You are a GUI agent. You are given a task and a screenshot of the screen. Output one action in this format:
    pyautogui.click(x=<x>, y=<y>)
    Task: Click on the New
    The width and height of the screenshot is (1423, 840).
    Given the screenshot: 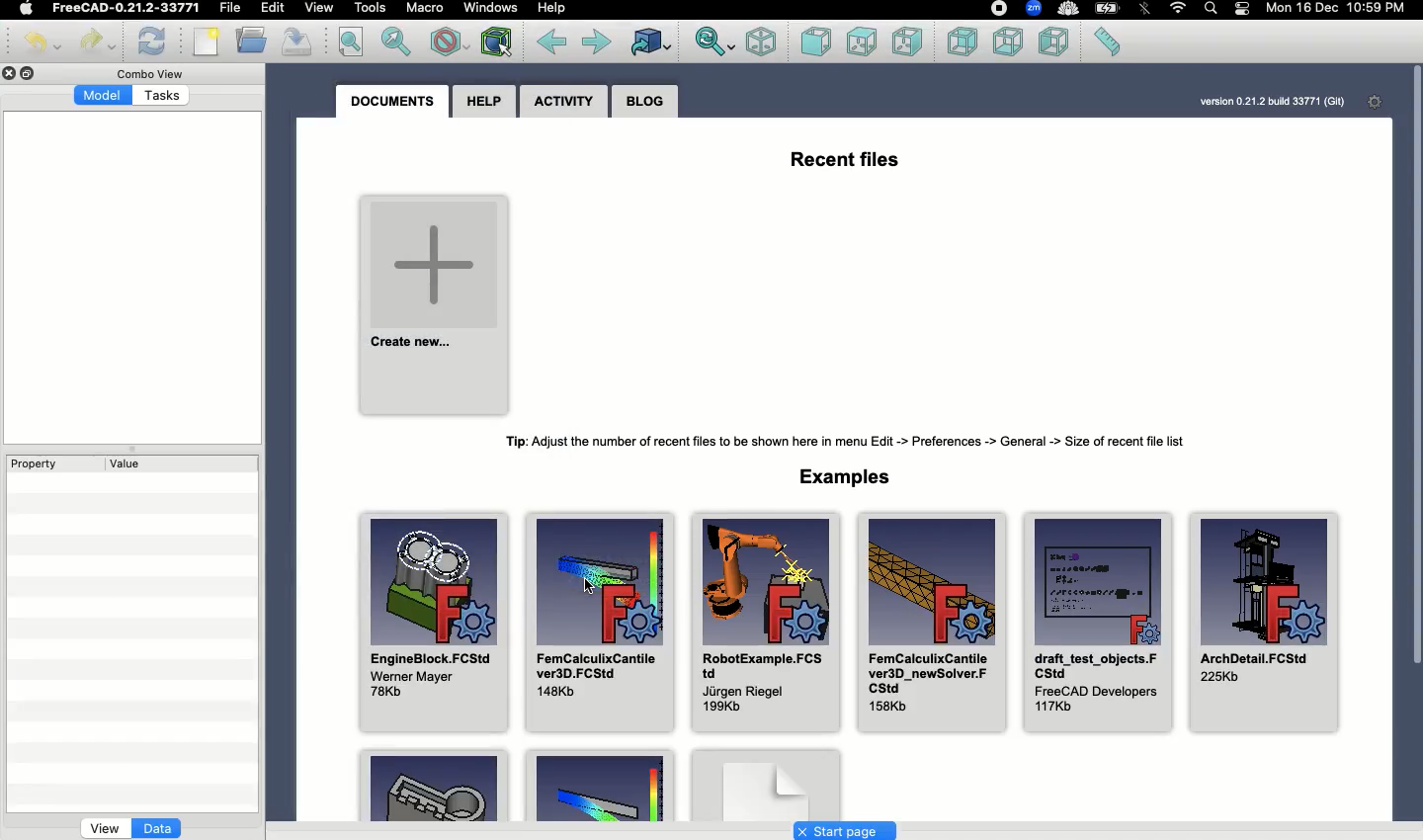 What is the action you would take?
    pyautogui.click(x=206, y=42)
    